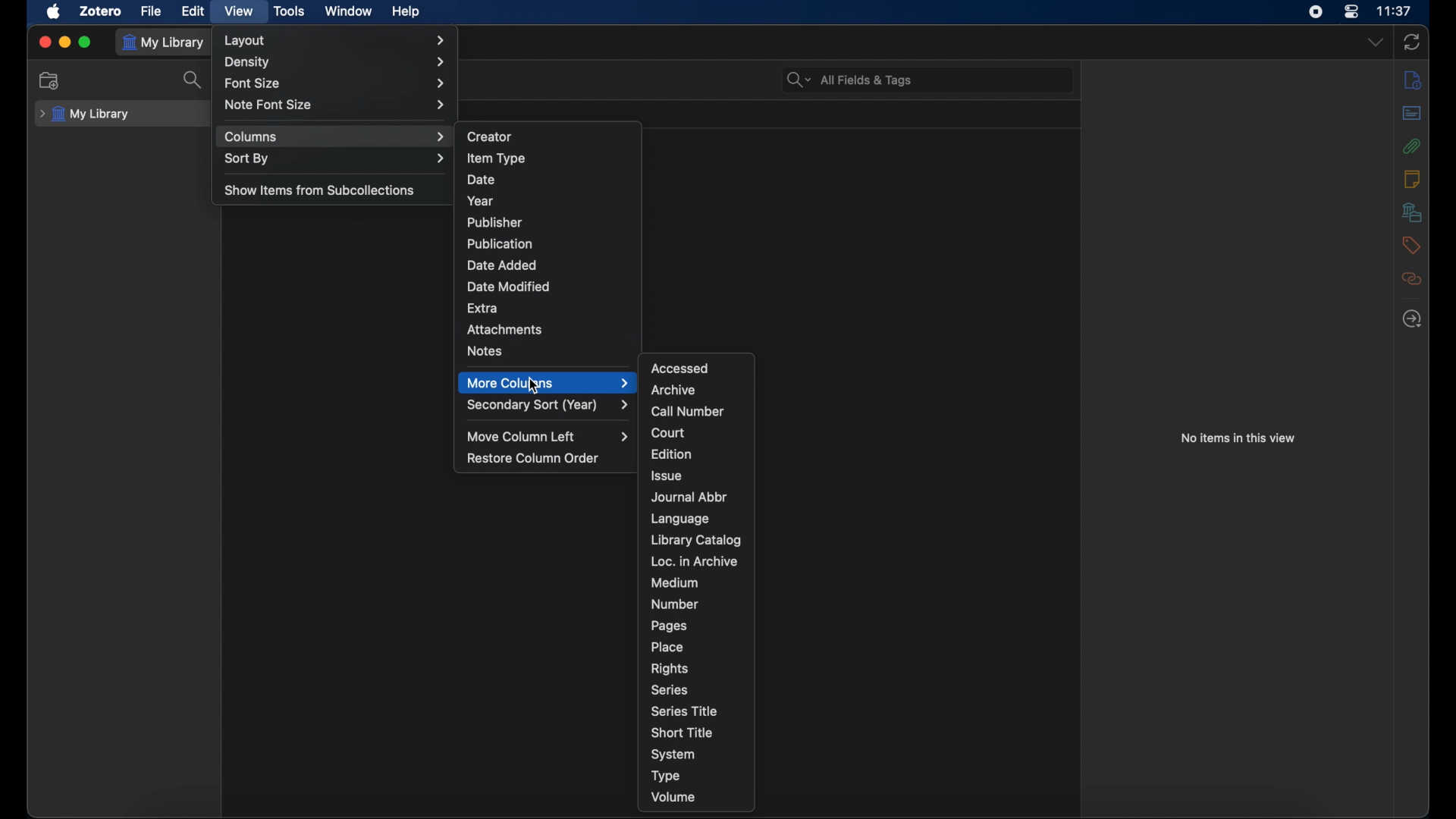 The image size is (1456, 819). I want to click on zotero, so click(101, 11).